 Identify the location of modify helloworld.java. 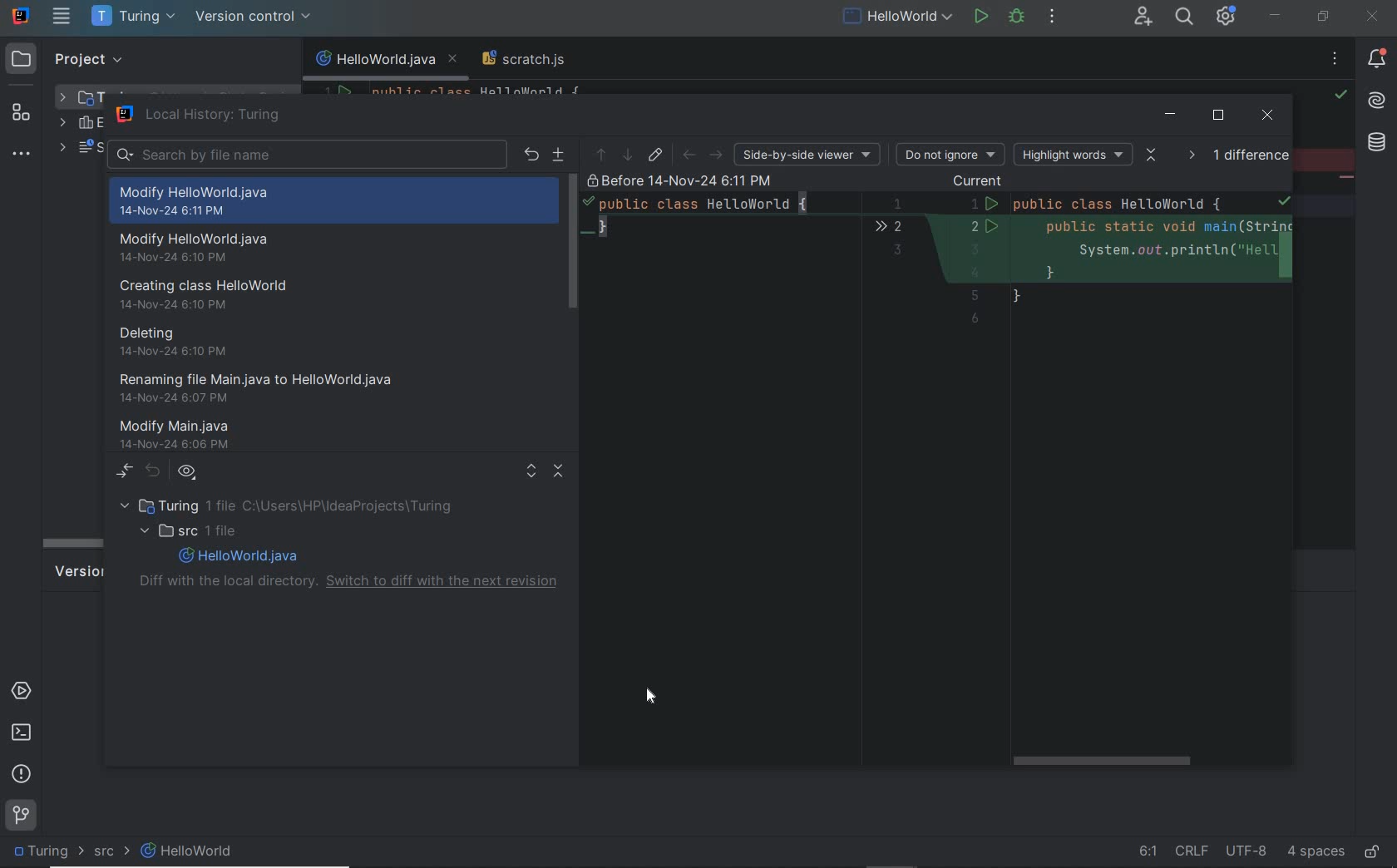
(201, 248).